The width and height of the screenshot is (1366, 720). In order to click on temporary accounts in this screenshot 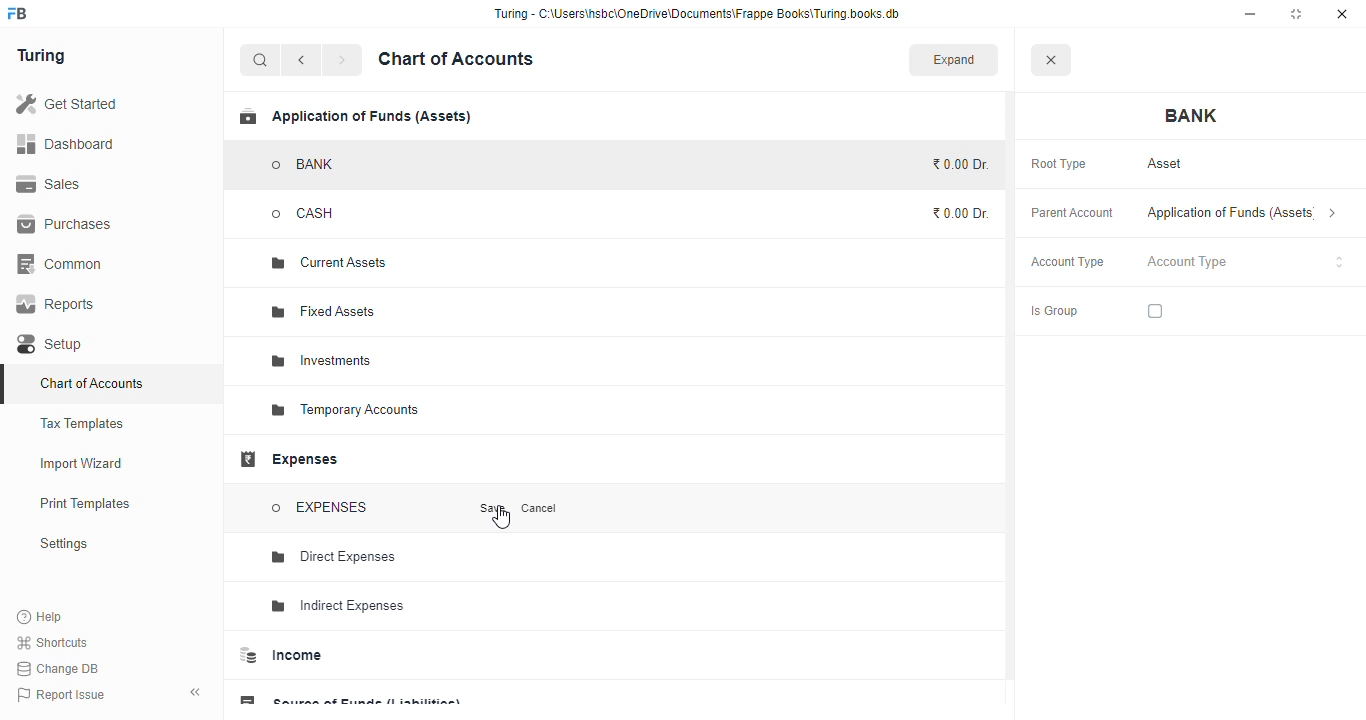, I will do `click(344, 410)`.